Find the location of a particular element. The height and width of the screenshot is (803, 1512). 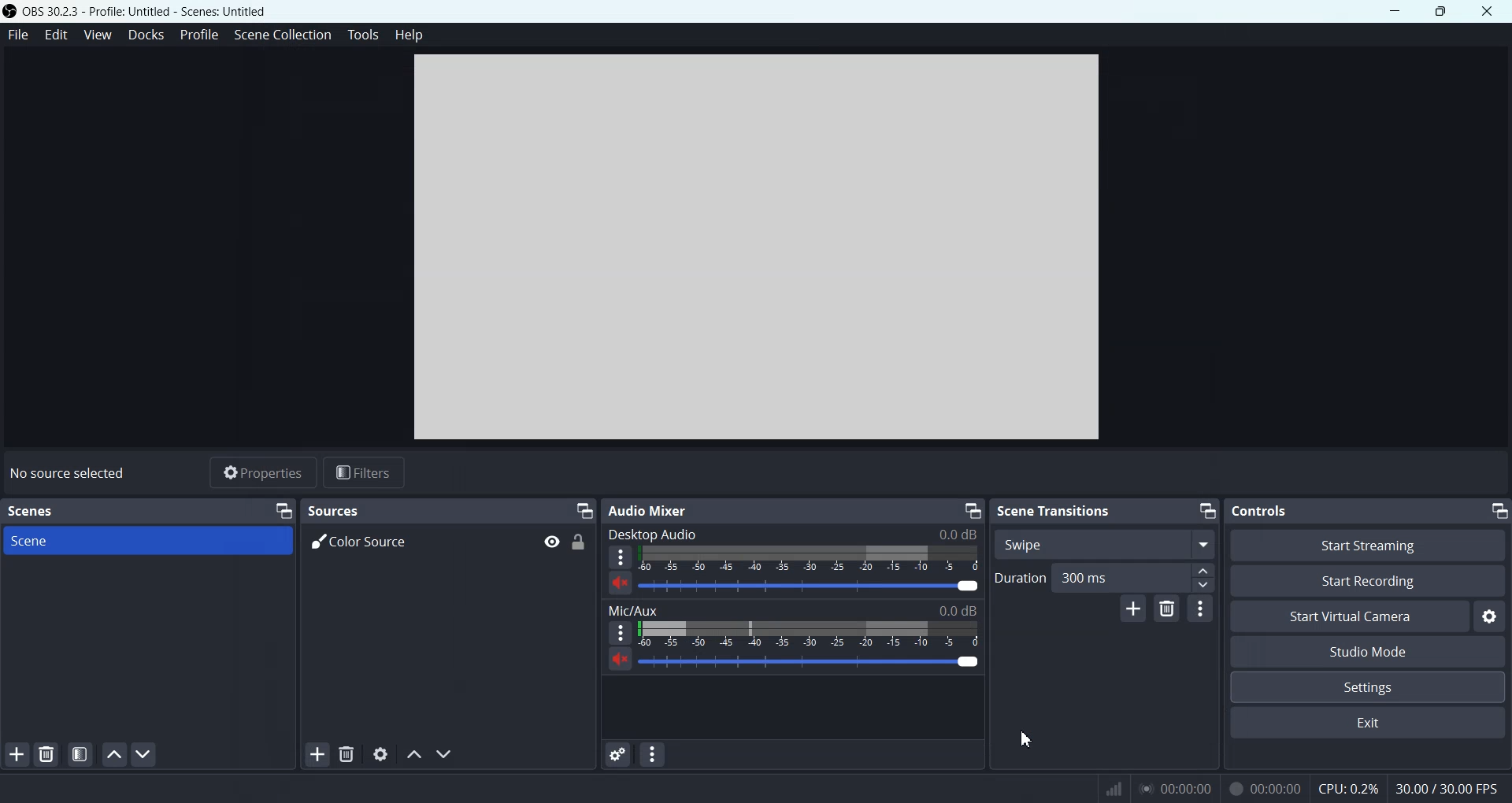

Transition properties is located at coordinates (1200, 609).